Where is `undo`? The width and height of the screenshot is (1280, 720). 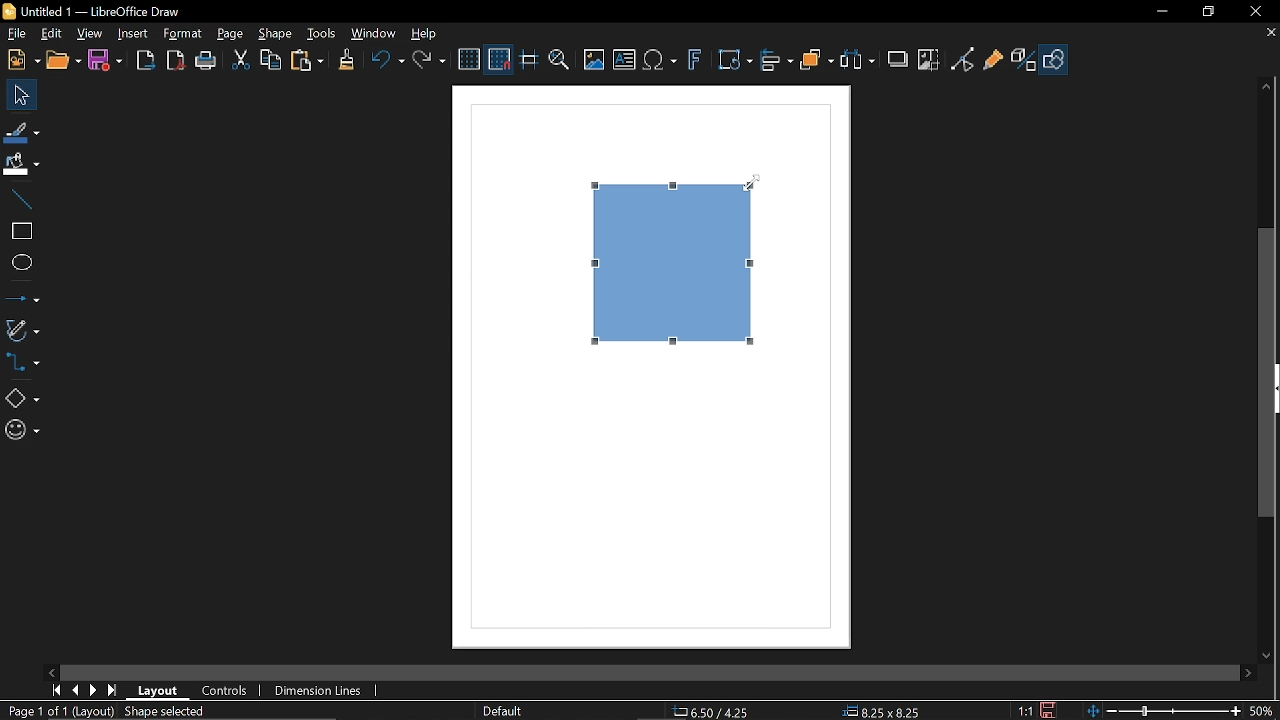 undo is located at coordinates (388, 60).